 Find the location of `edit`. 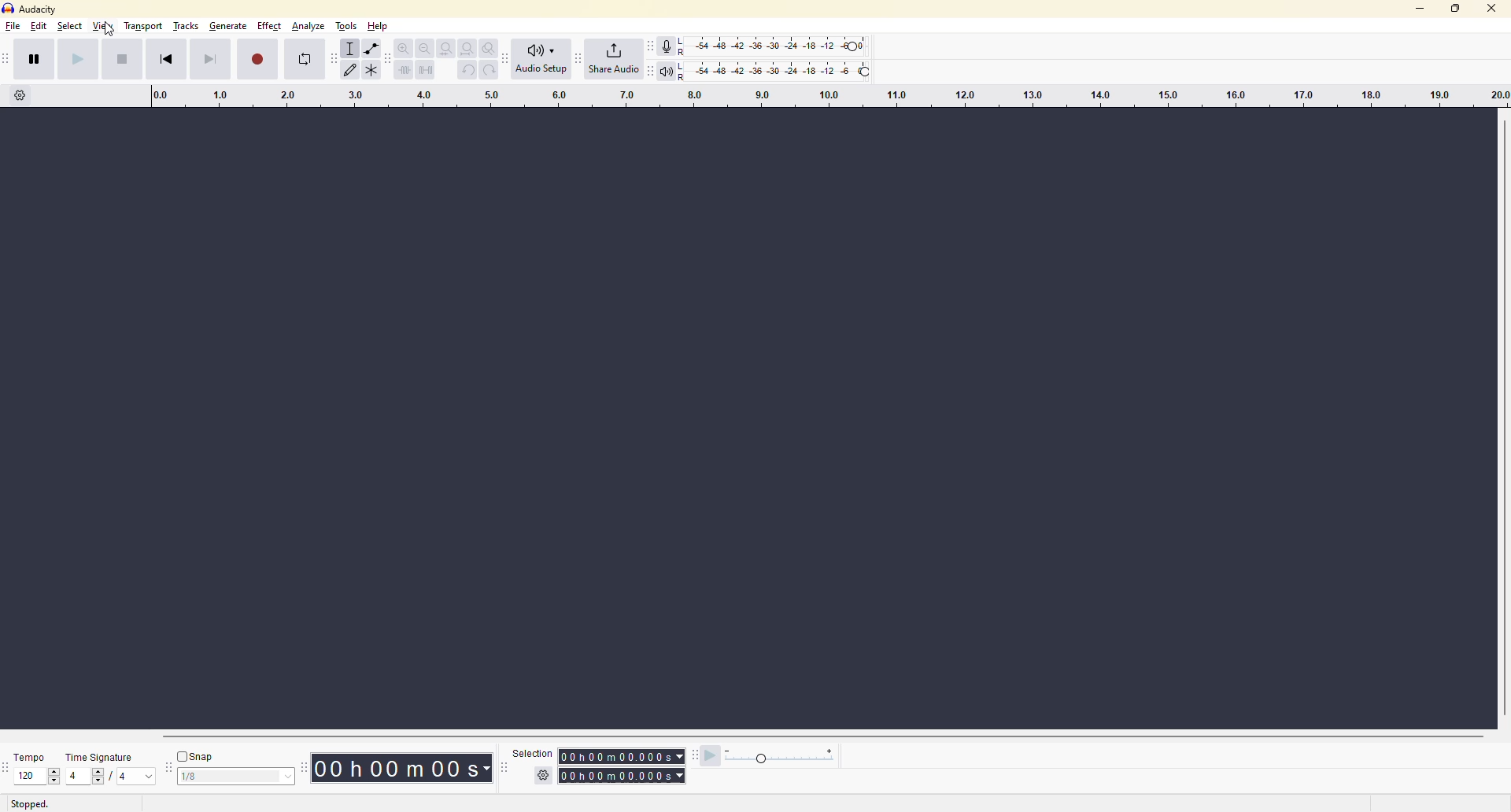

edit is located at coordinates (40, 28).